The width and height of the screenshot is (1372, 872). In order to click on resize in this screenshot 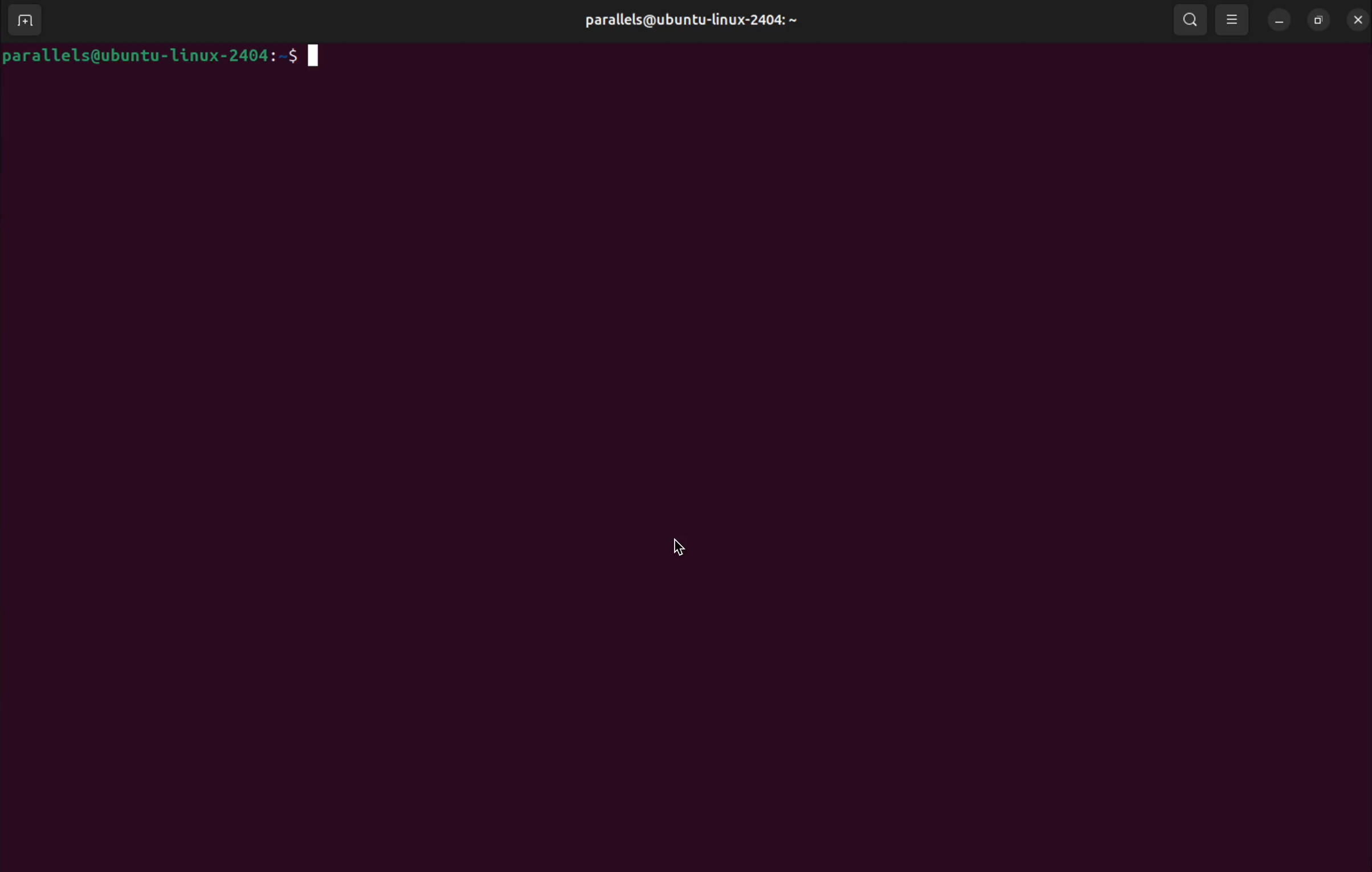, I will do `click(1318, 18)`.